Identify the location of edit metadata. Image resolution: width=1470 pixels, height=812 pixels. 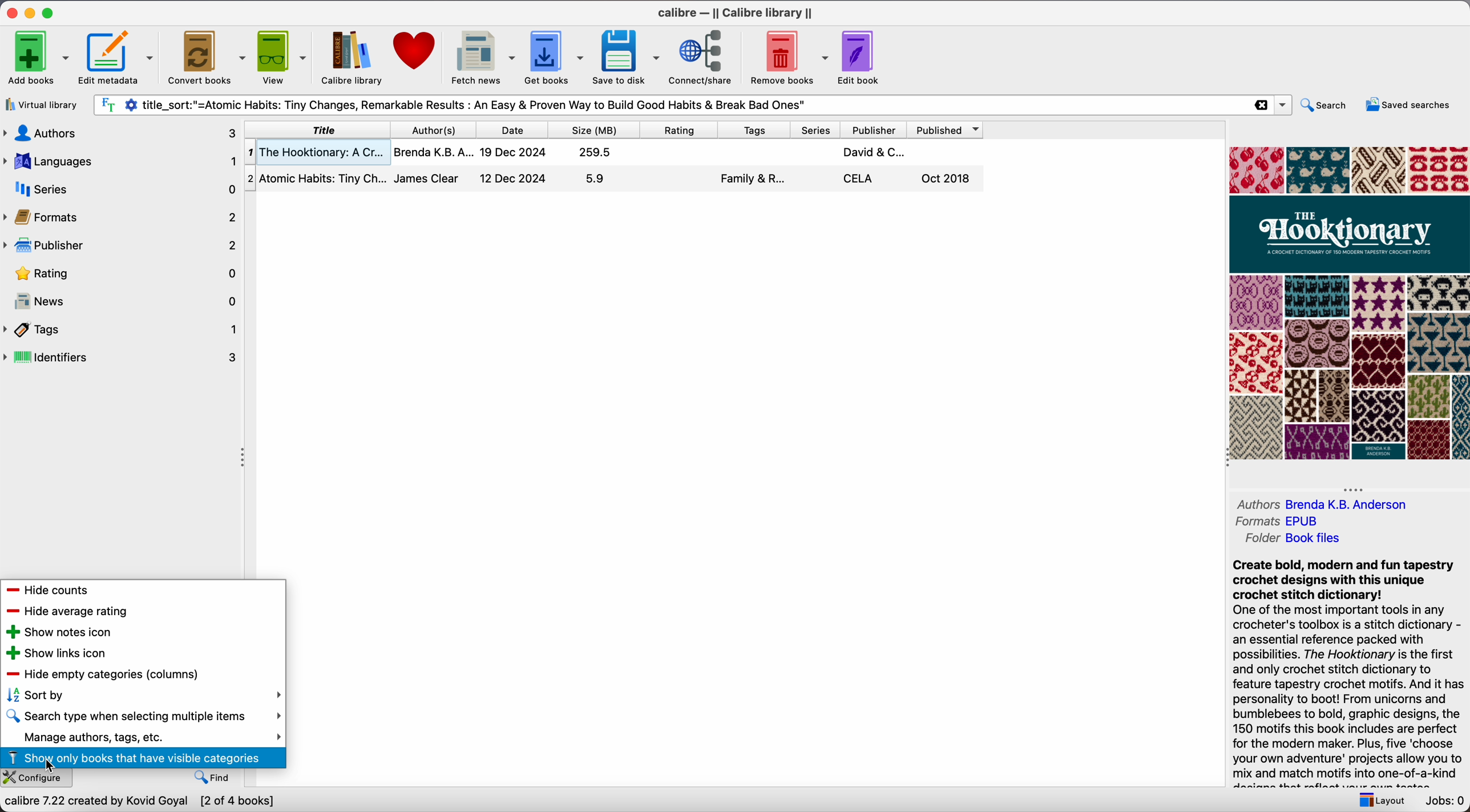
(118, 58).